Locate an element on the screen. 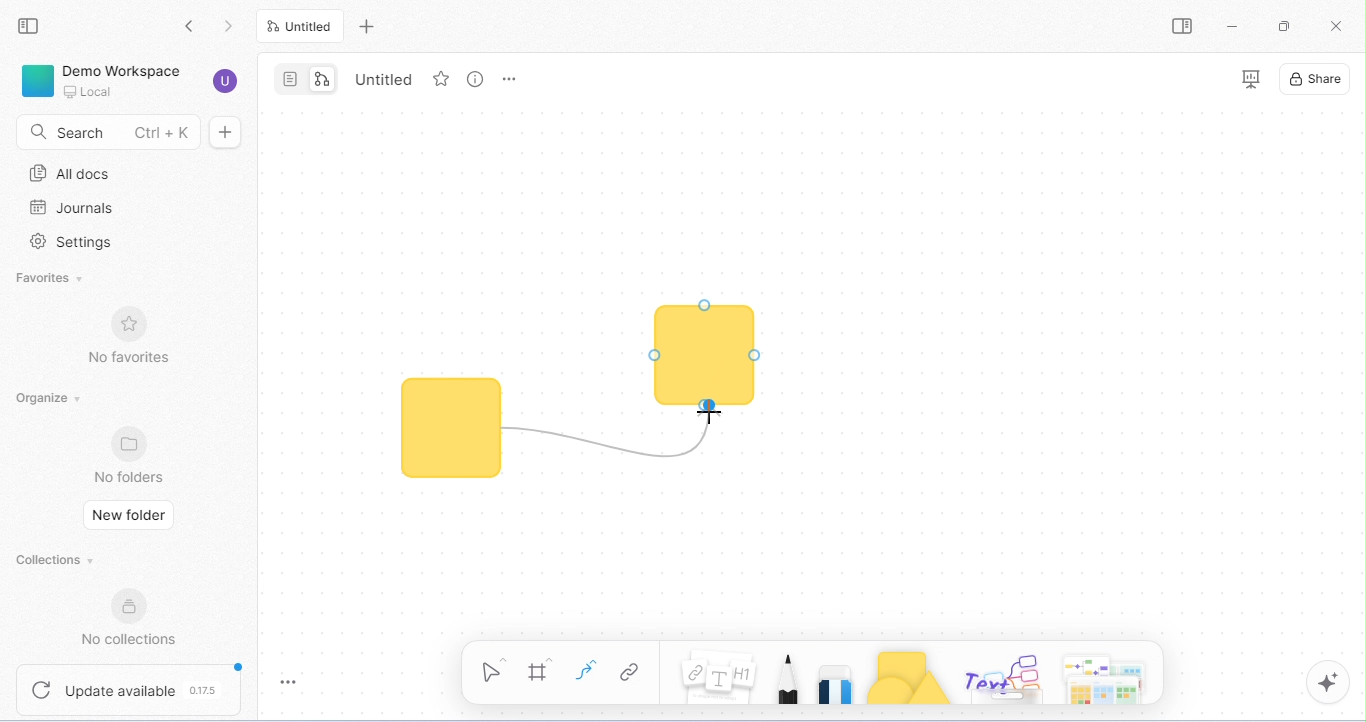  presentation is located at coordinates (1252, 80).